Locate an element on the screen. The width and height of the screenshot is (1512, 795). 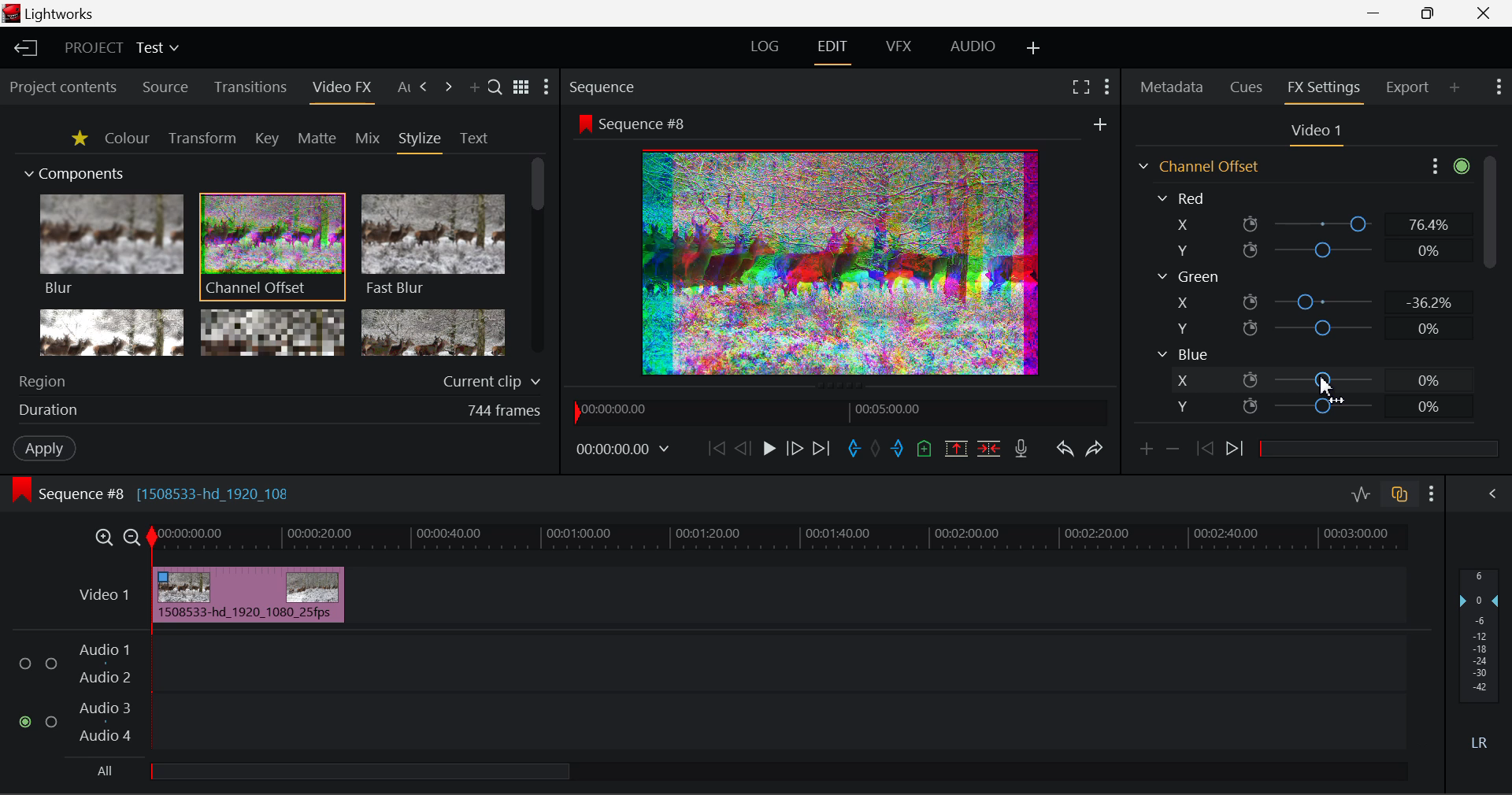
Channel Offset is located at coordinates (1196, 166).